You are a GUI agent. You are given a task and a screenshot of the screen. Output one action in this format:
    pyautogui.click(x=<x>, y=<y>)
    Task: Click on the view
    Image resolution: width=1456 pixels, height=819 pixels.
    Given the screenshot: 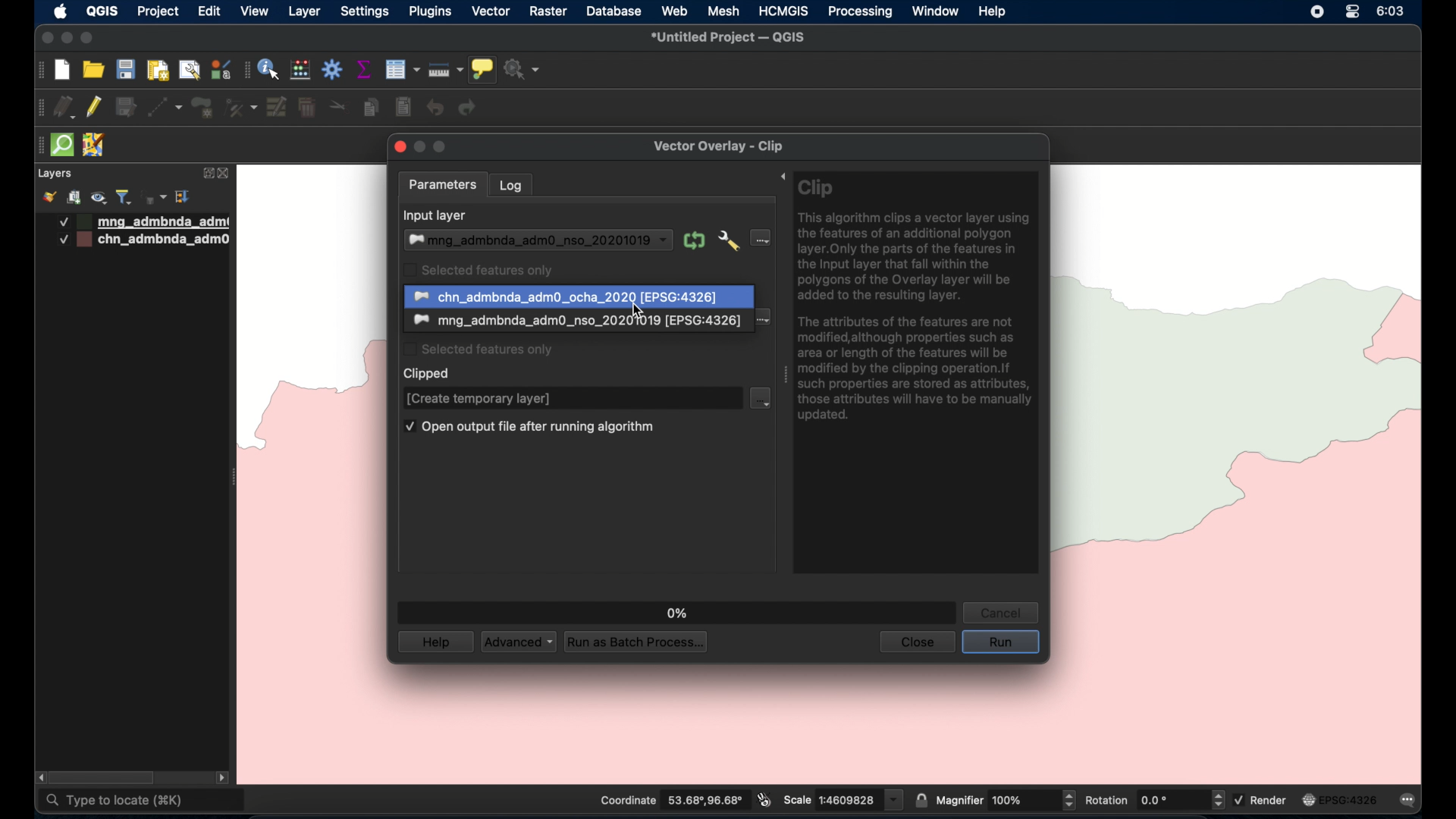 What is the action you would take?
    pyautogui.click(x=255, y=11)
    